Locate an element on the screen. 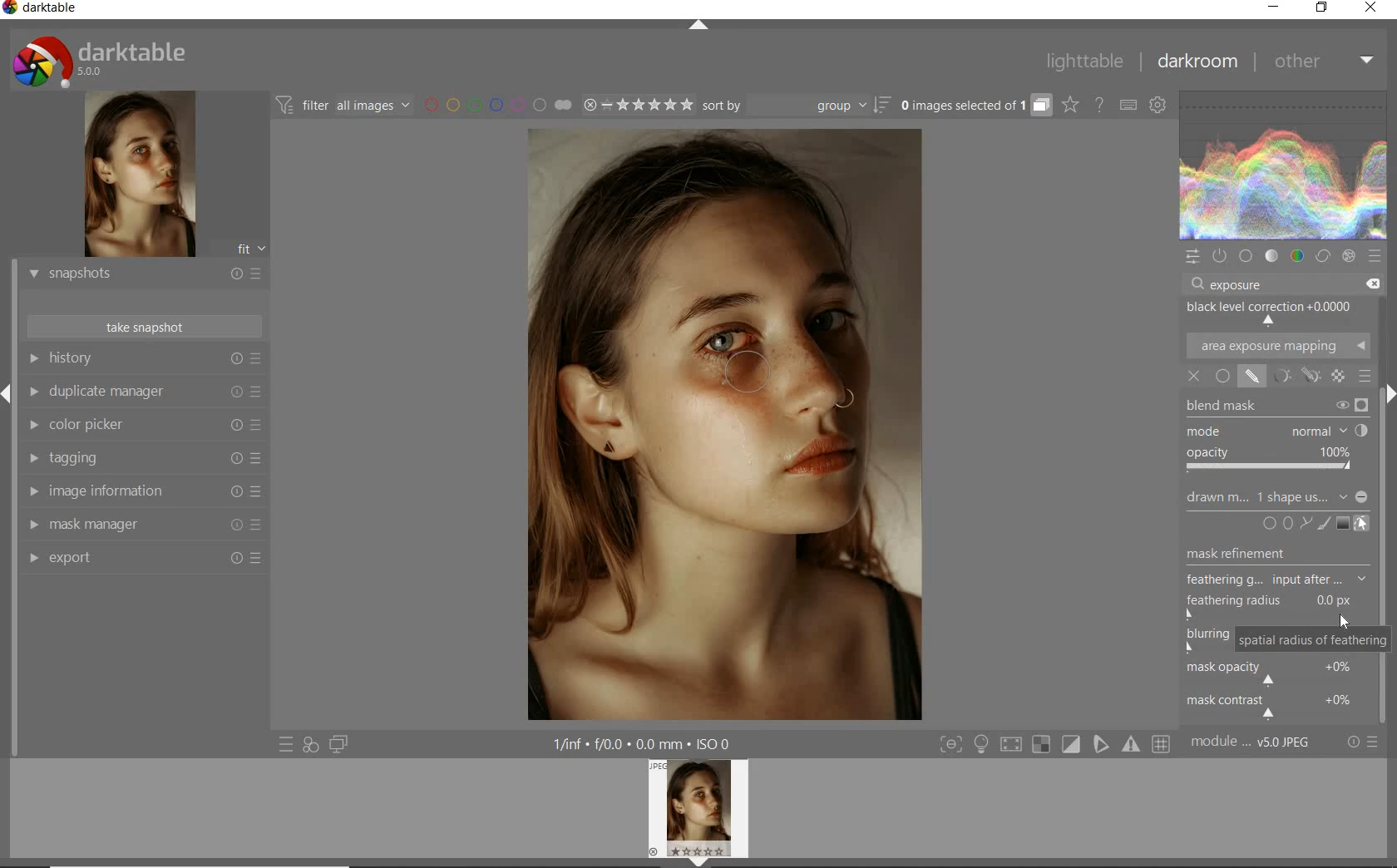  DELETE is located at coordinates (1371, 282).